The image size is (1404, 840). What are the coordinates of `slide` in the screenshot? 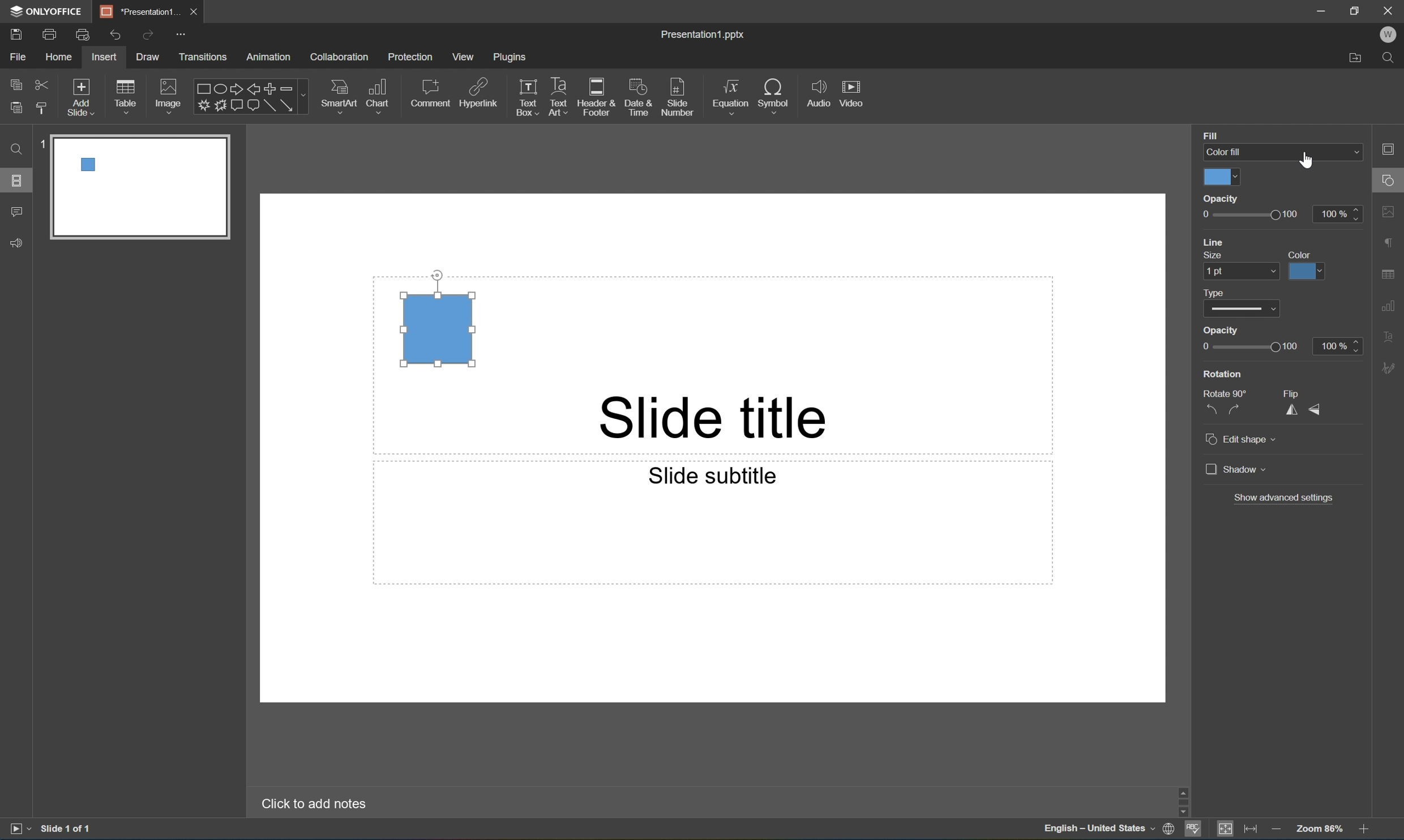 It's located at (140, 188).